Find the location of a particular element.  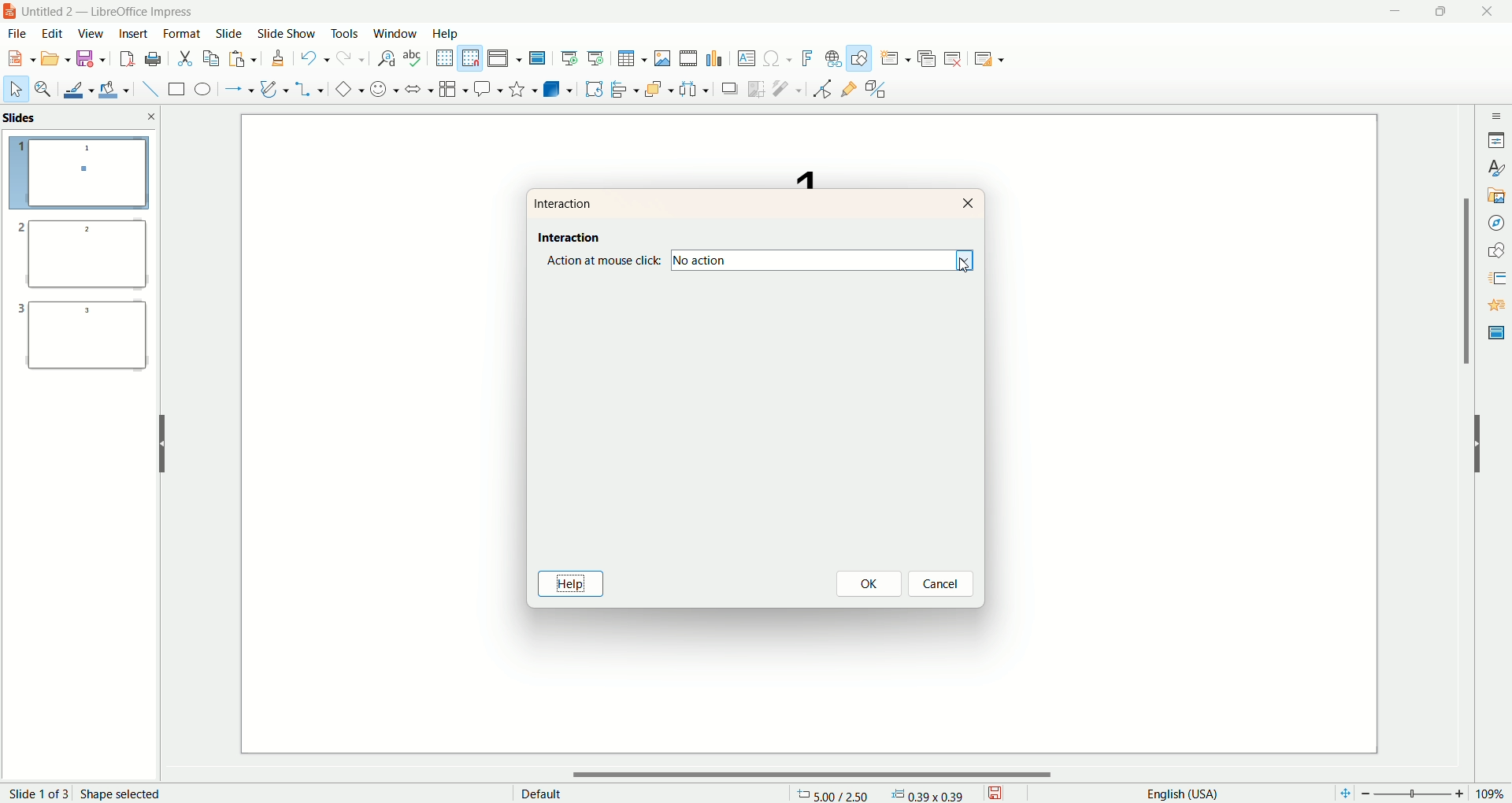

horizontal scroll bar is located at coordinates (818, 775).